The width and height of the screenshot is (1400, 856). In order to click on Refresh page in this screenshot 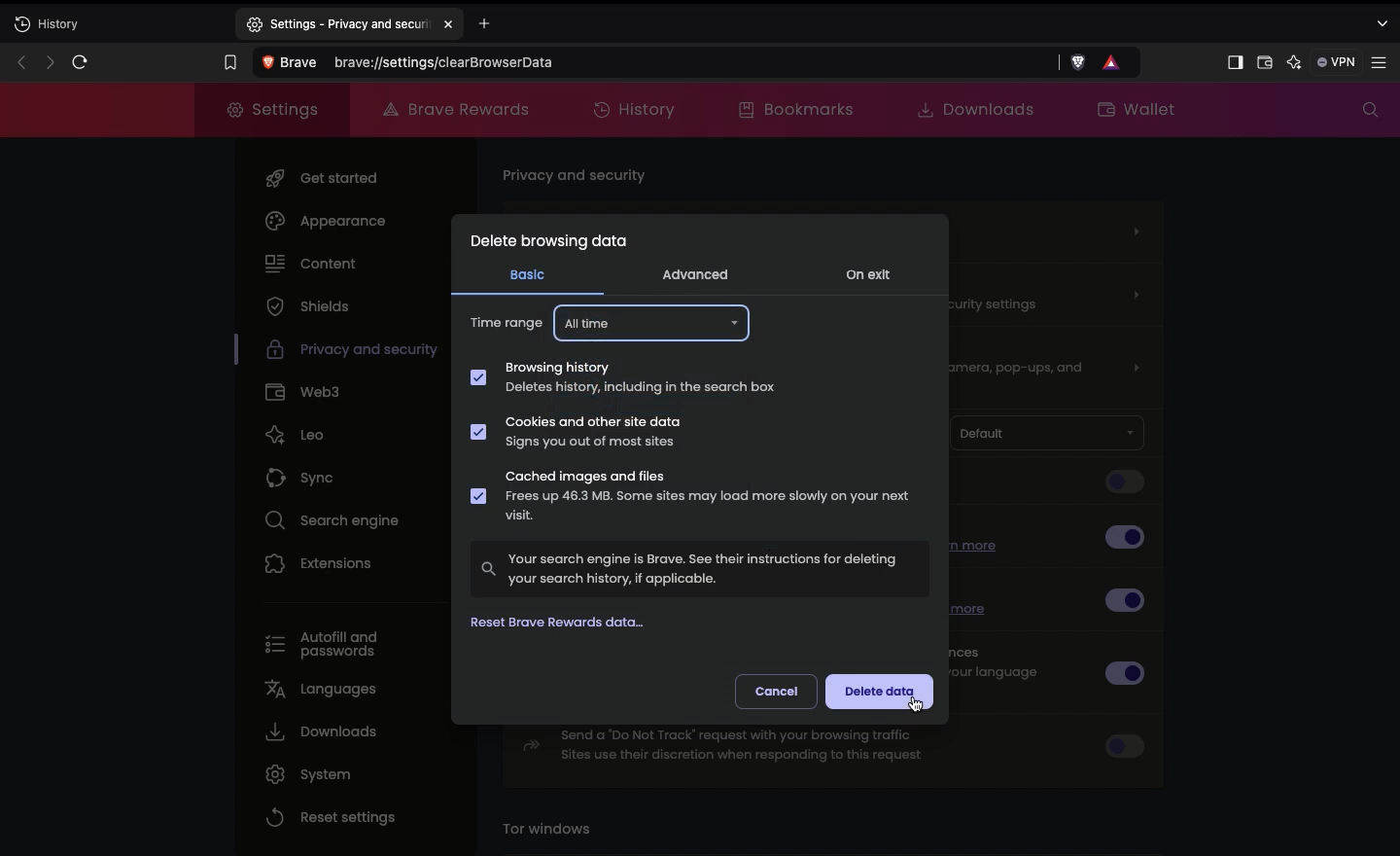, I will do `click(80, 61)`.